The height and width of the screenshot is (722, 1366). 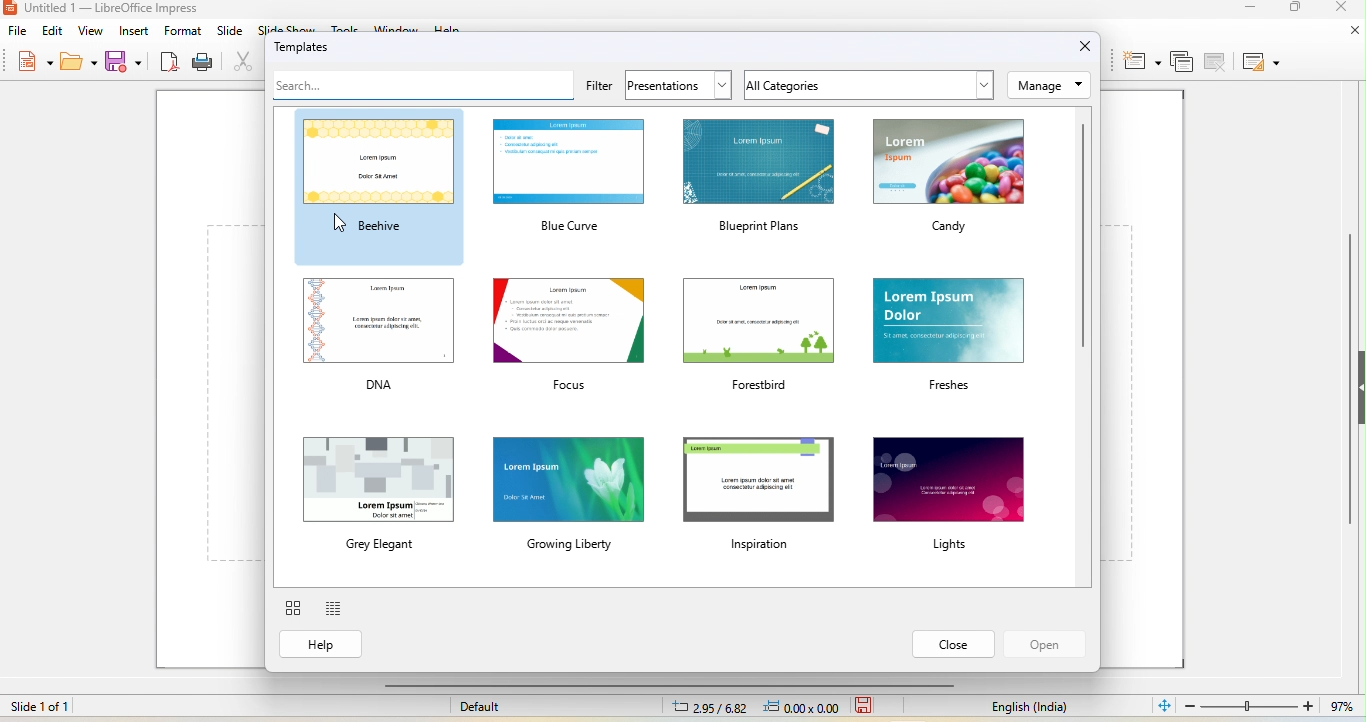 I want to click on templated, so click(x=308, y=47).